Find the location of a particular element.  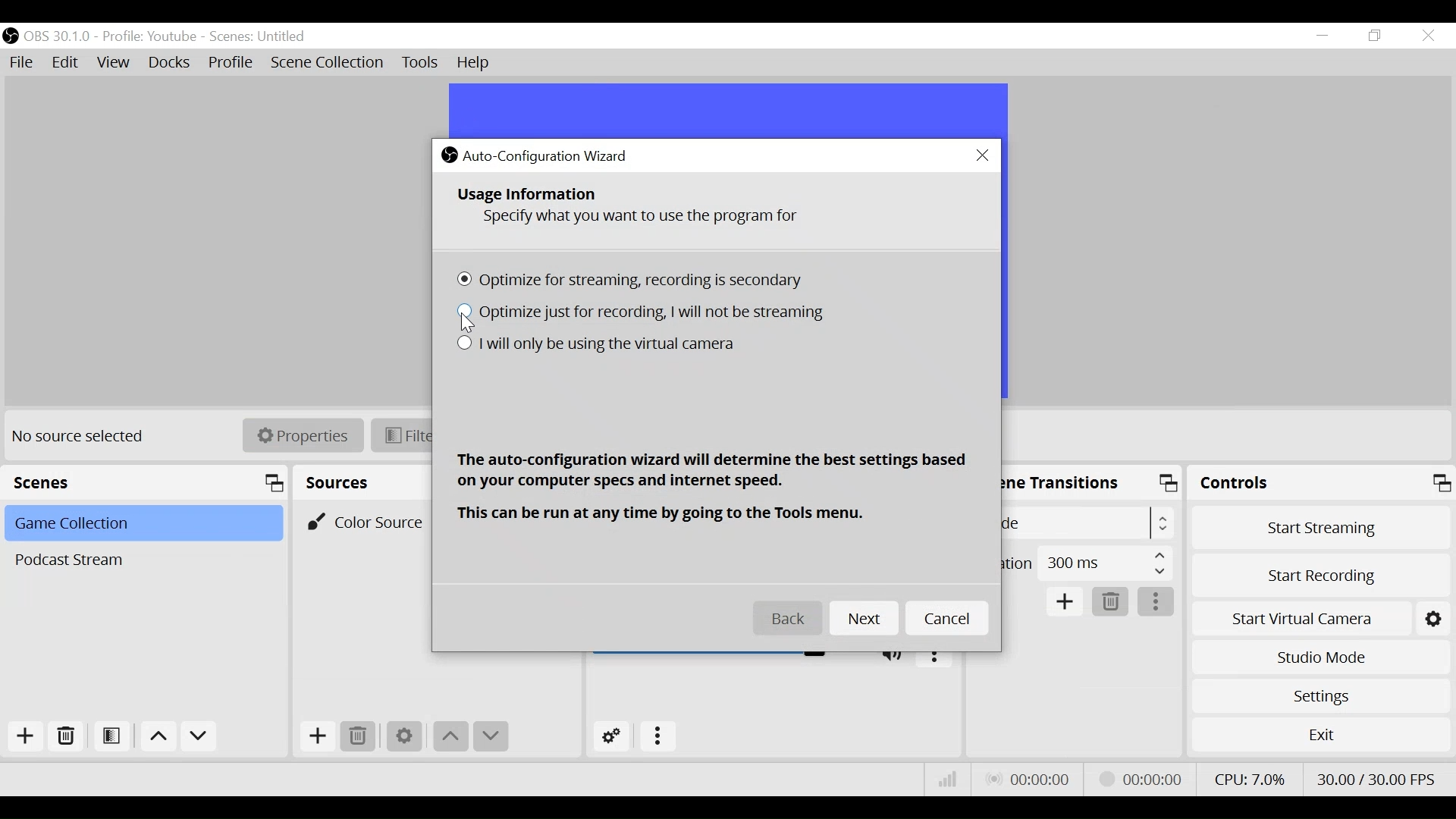

Cancel is located at coordinates (949, 620).